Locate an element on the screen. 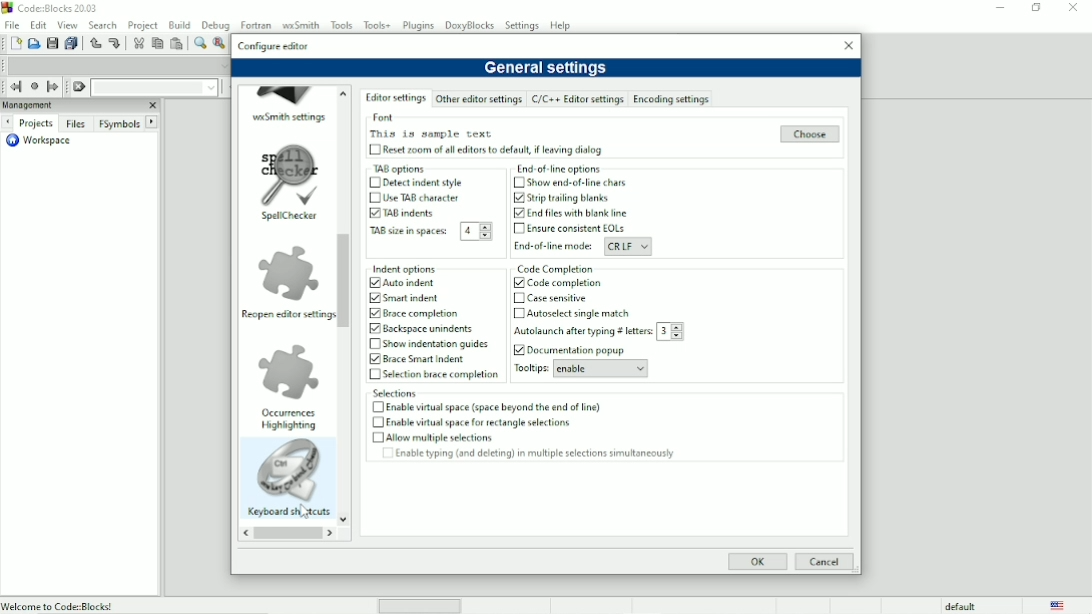   is located at coordinates (372, 313).